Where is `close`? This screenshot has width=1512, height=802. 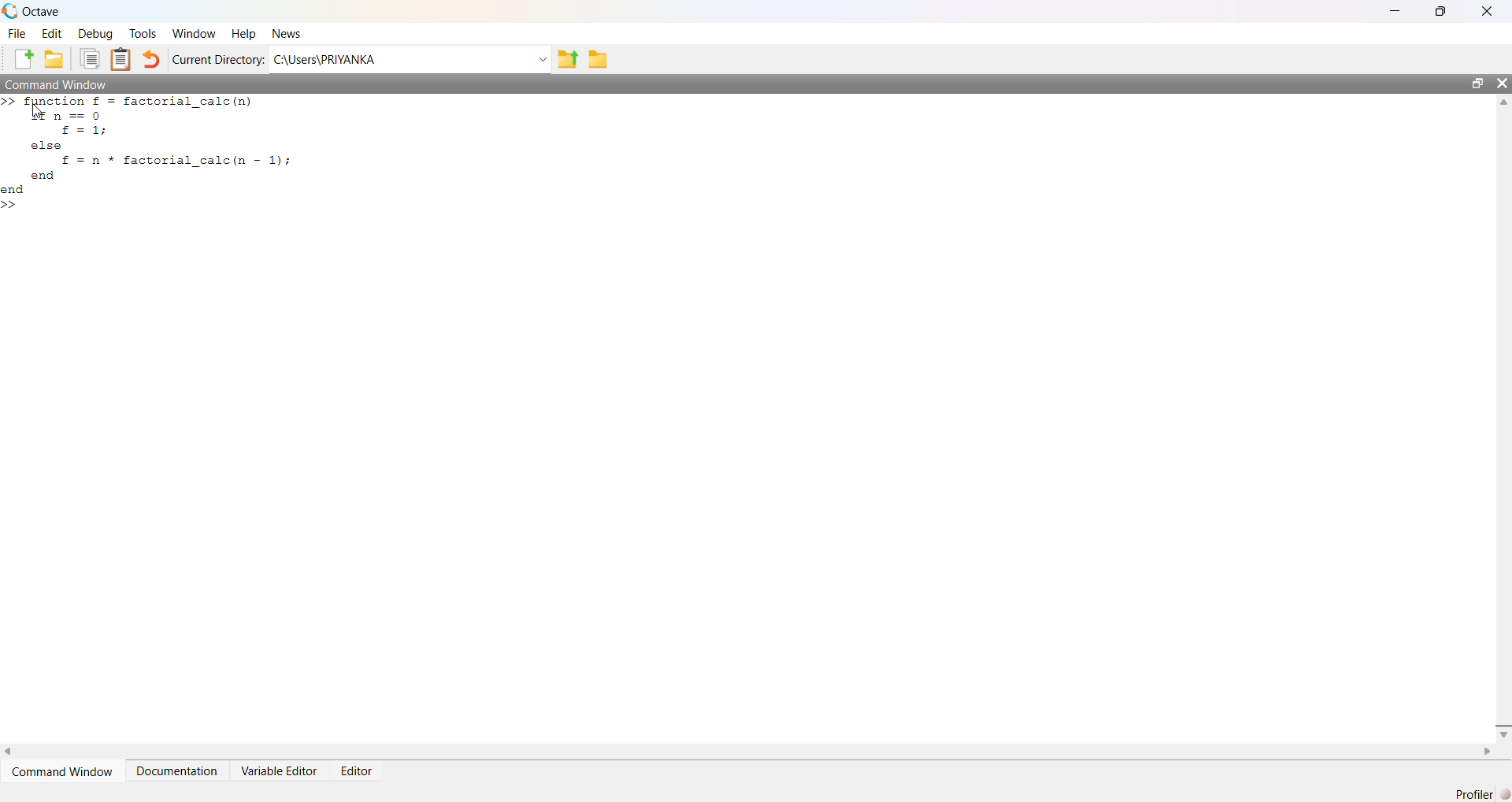 close is located at coordinates (1502, 83).